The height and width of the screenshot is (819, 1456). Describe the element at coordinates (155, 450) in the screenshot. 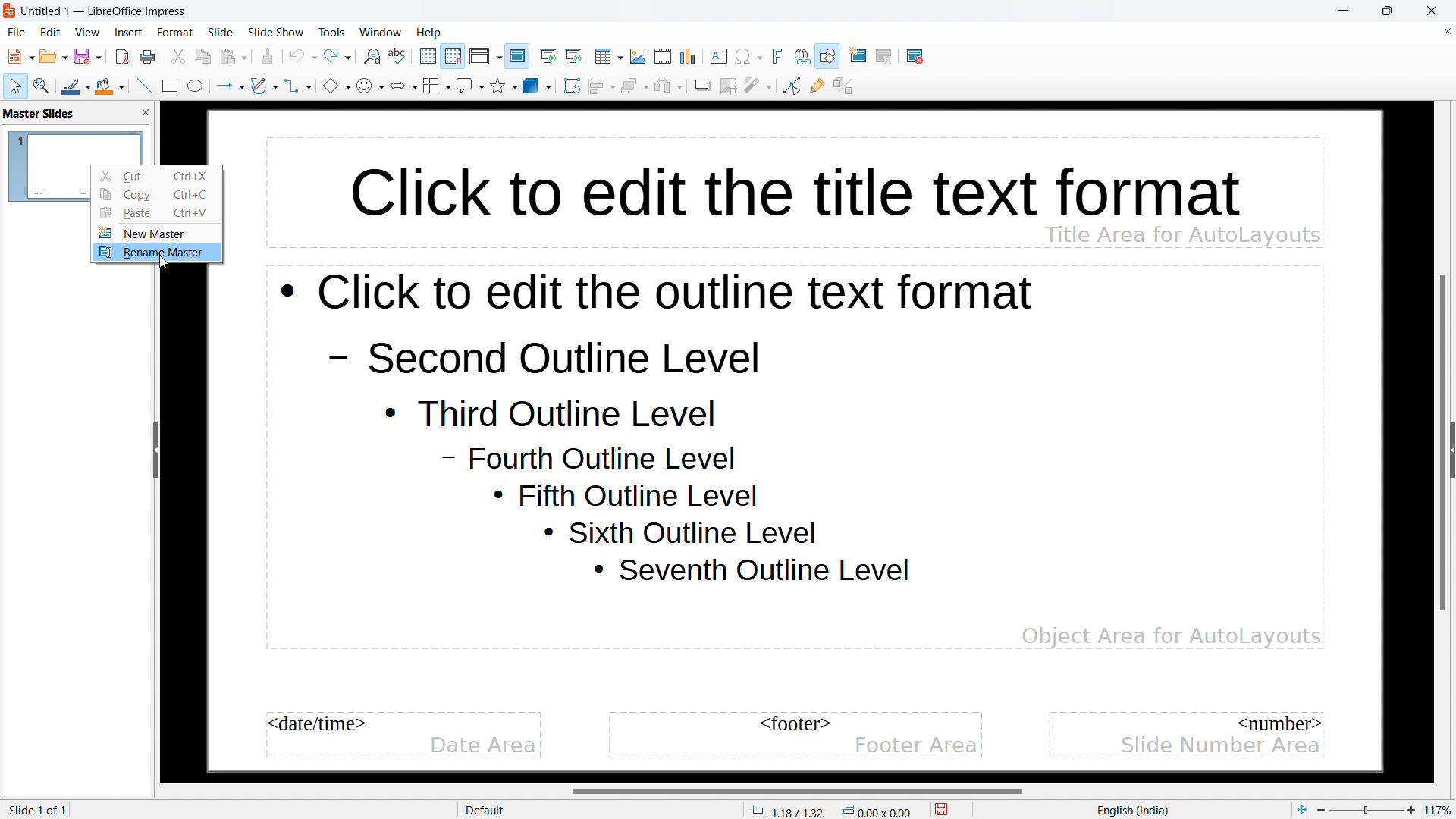

I see `hide sidebar` at that location.